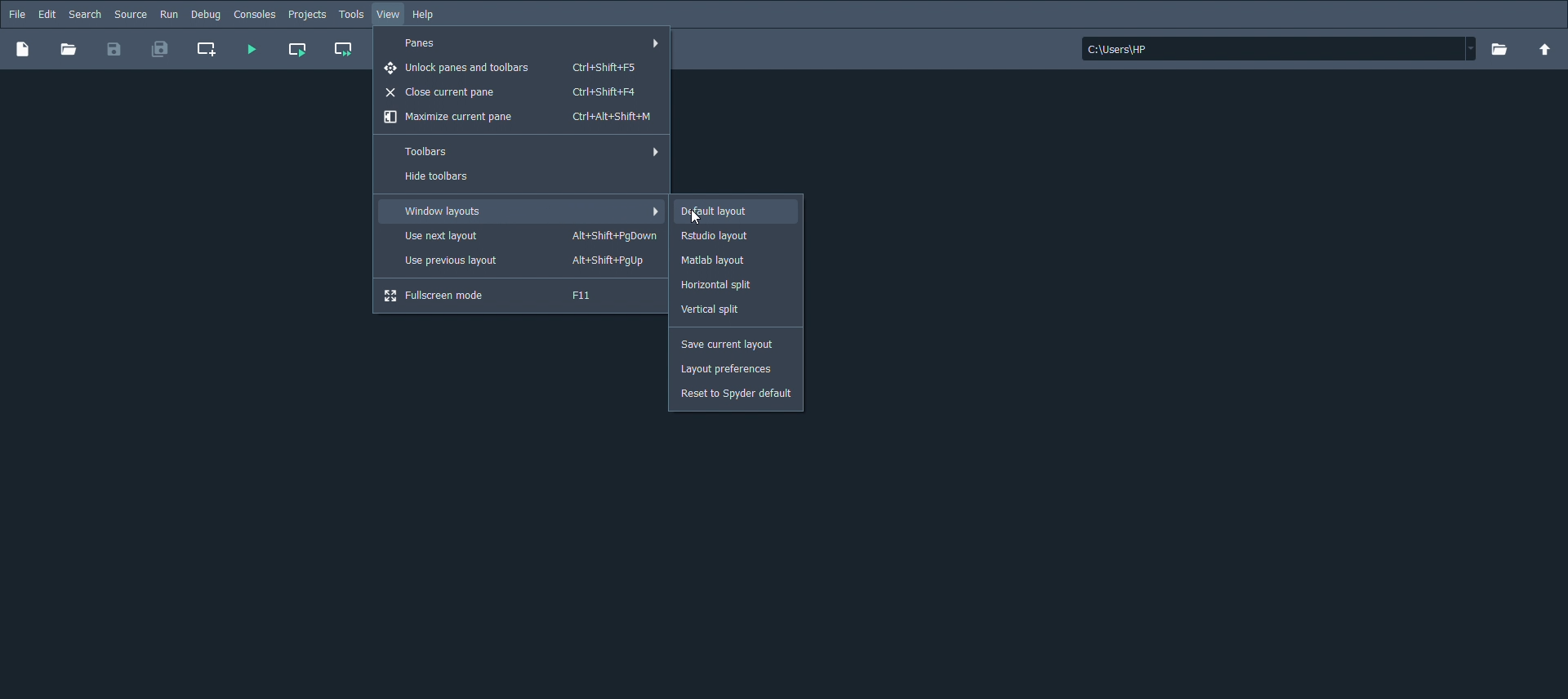 The width and height of the screenshot is (1568, 699). What do you see at coordinates (46, 12) in the screenshot?
I see `Edit` at bounding box center [46, 12].